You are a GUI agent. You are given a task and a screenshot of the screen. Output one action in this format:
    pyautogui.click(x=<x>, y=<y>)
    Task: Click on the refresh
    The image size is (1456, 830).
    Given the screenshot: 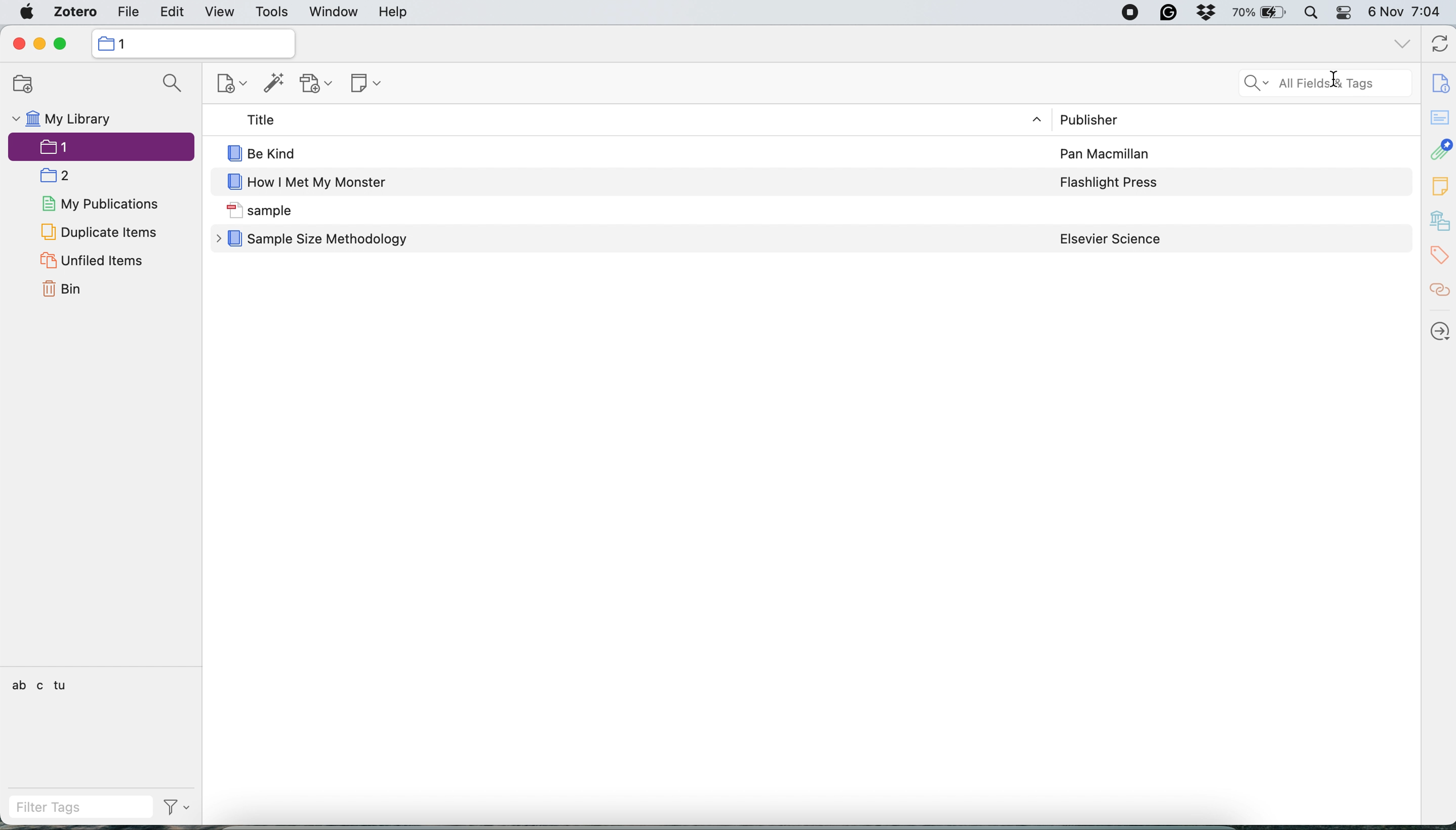 What is the action you would take?
    pyautogui.click(x=1437, y=44)
    